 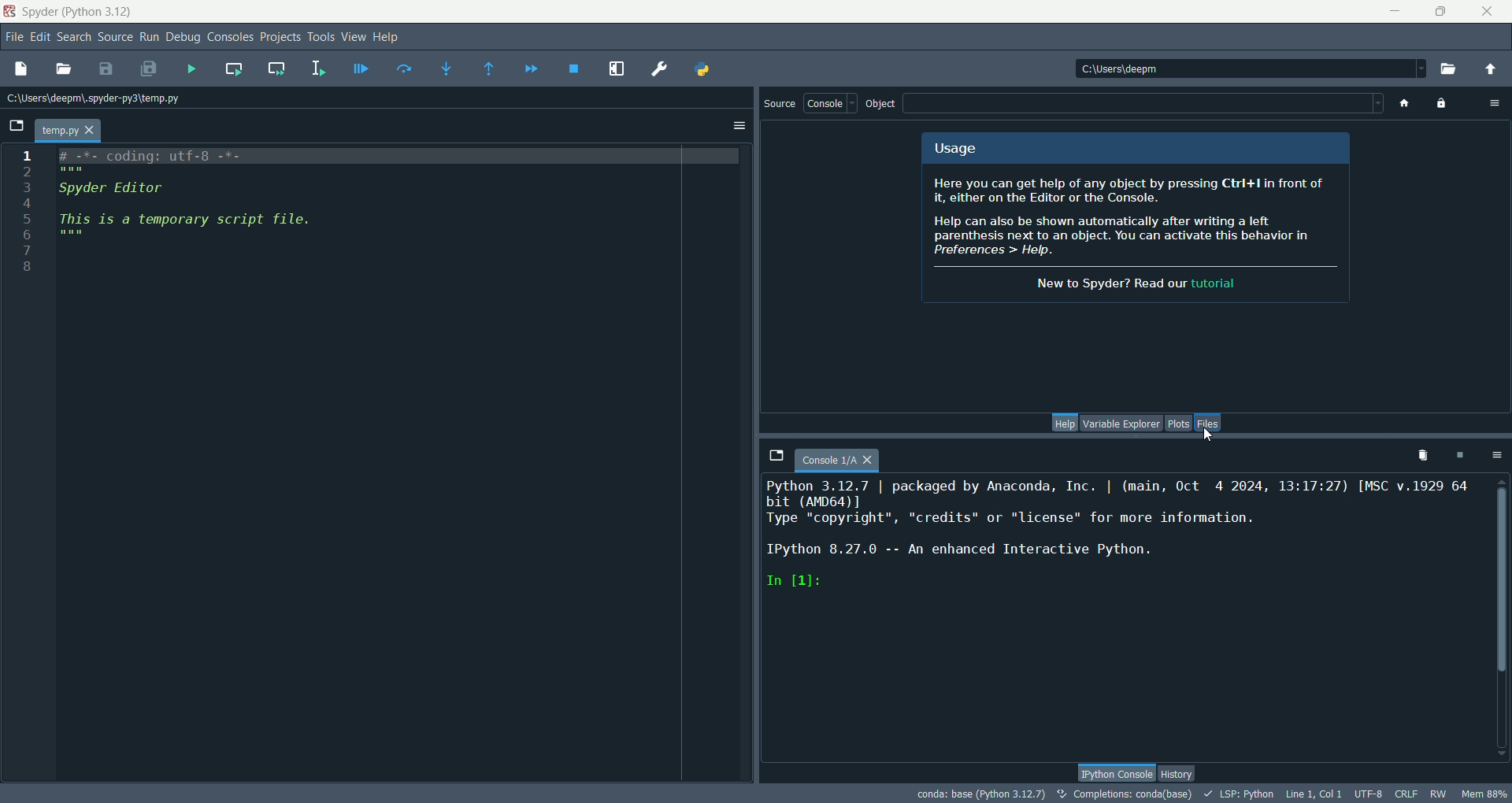 I want to click on run, so click(x=150, y=38).